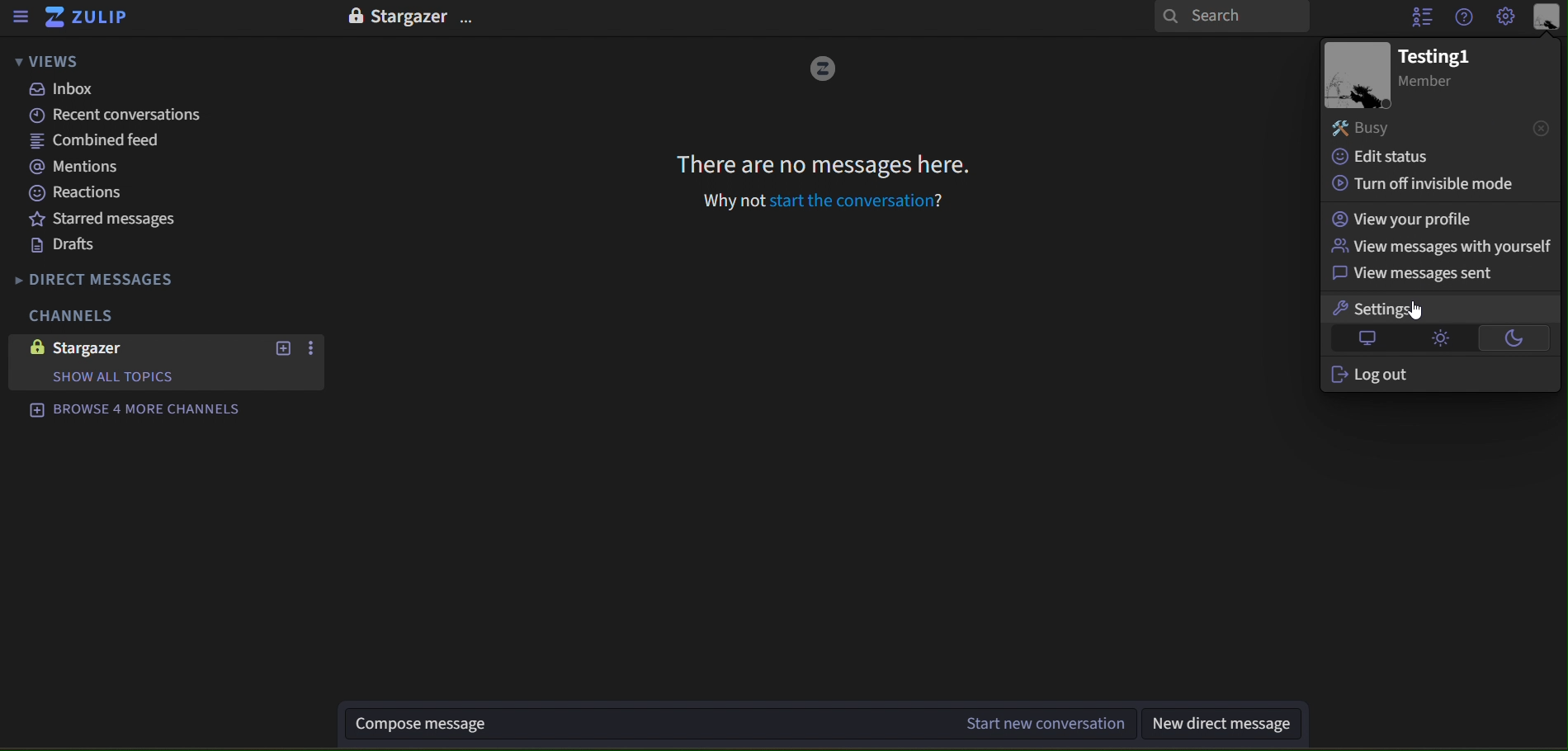 The height and width of the screenshot is (751, 1568). Describe the element at coordinates (1437, 54) in the screenshot. I see `testing1` at that location.